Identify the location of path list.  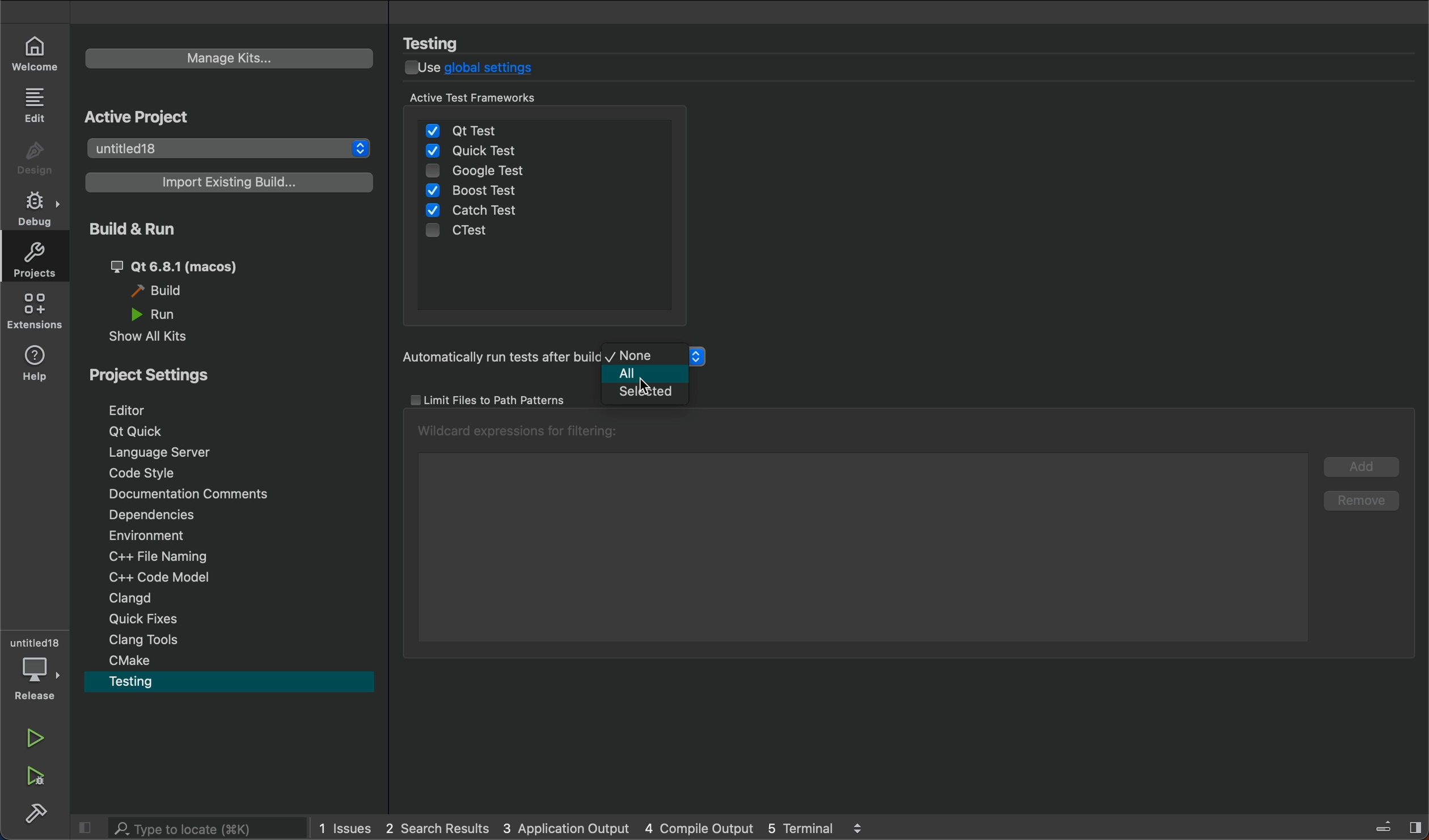
(856, 534).